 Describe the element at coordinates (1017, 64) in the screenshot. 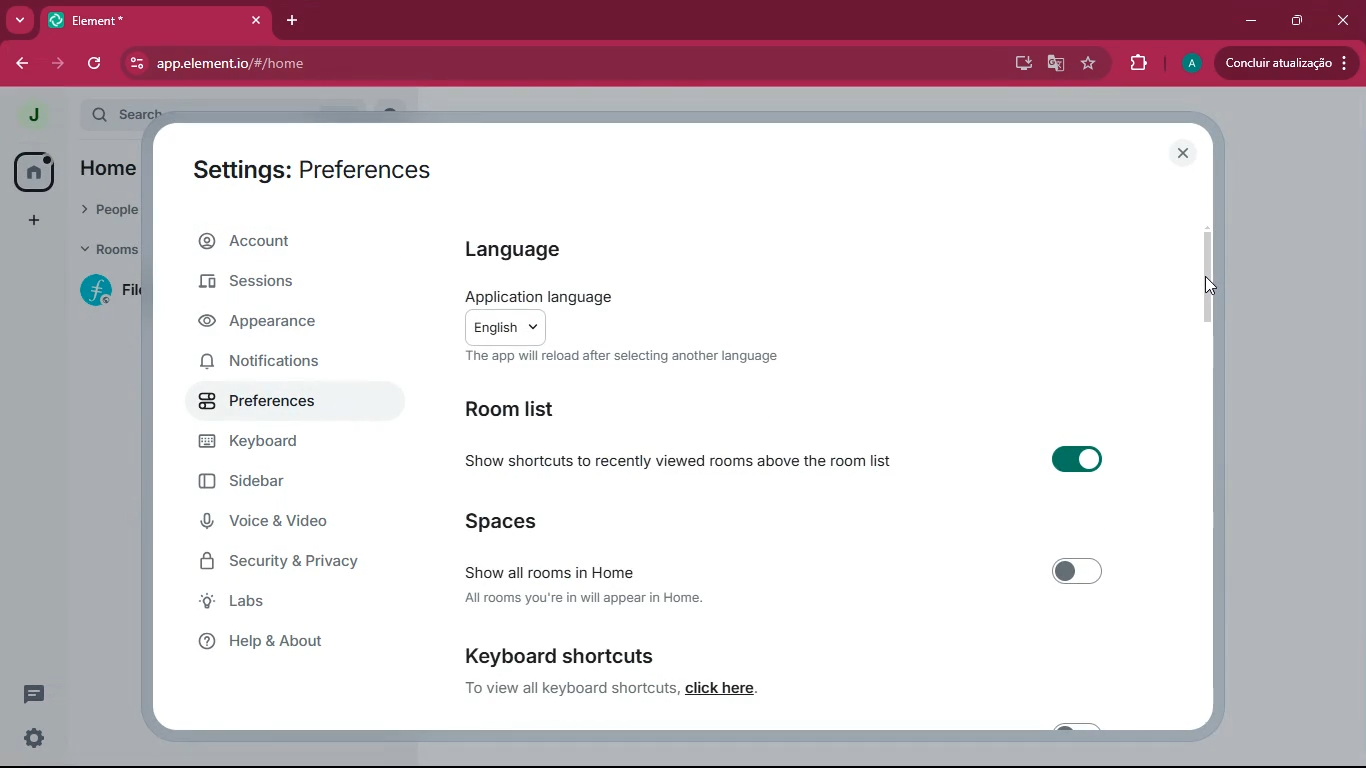

I see `desktop` at that location.